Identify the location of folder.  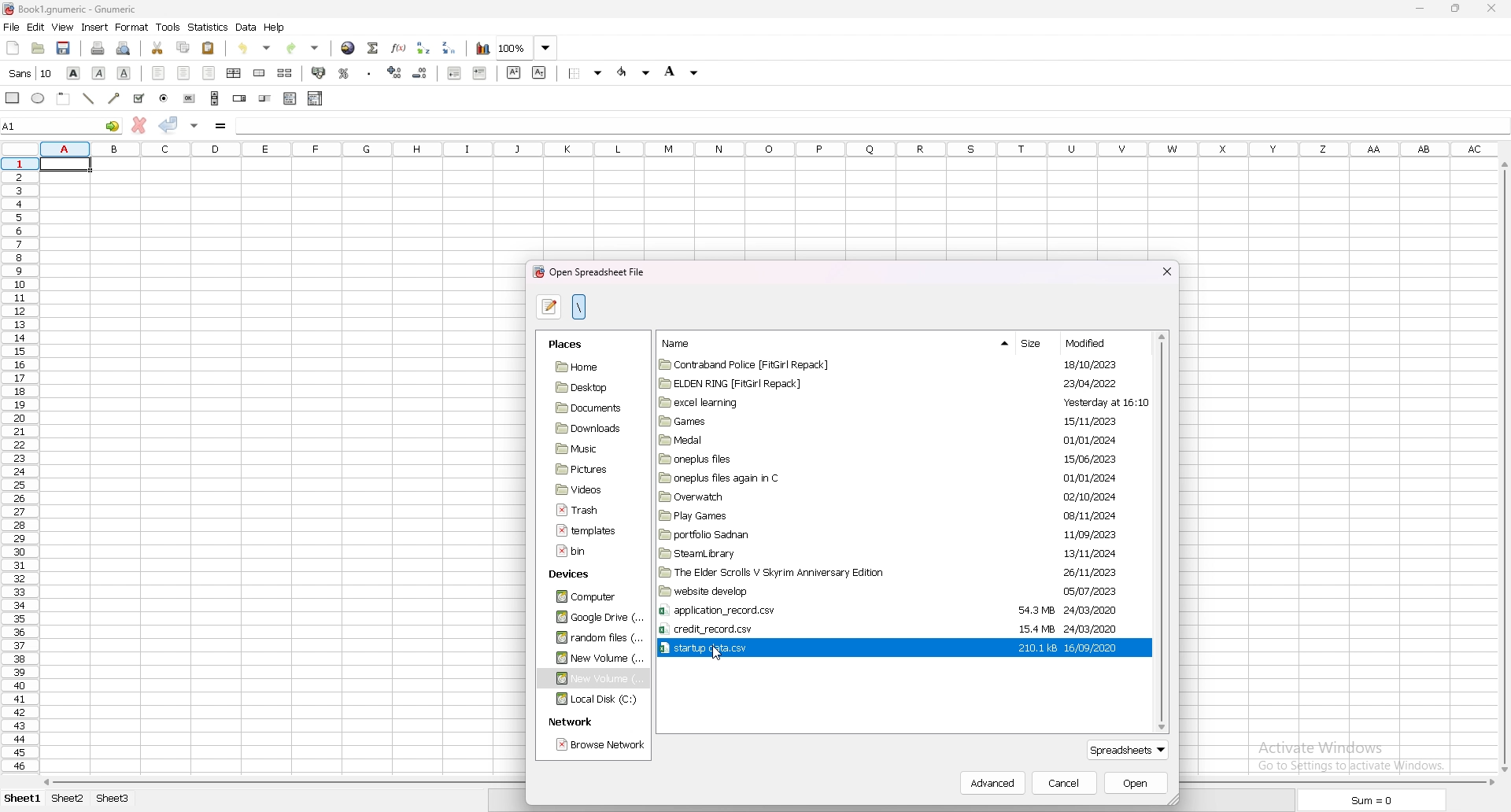
(829, 515).